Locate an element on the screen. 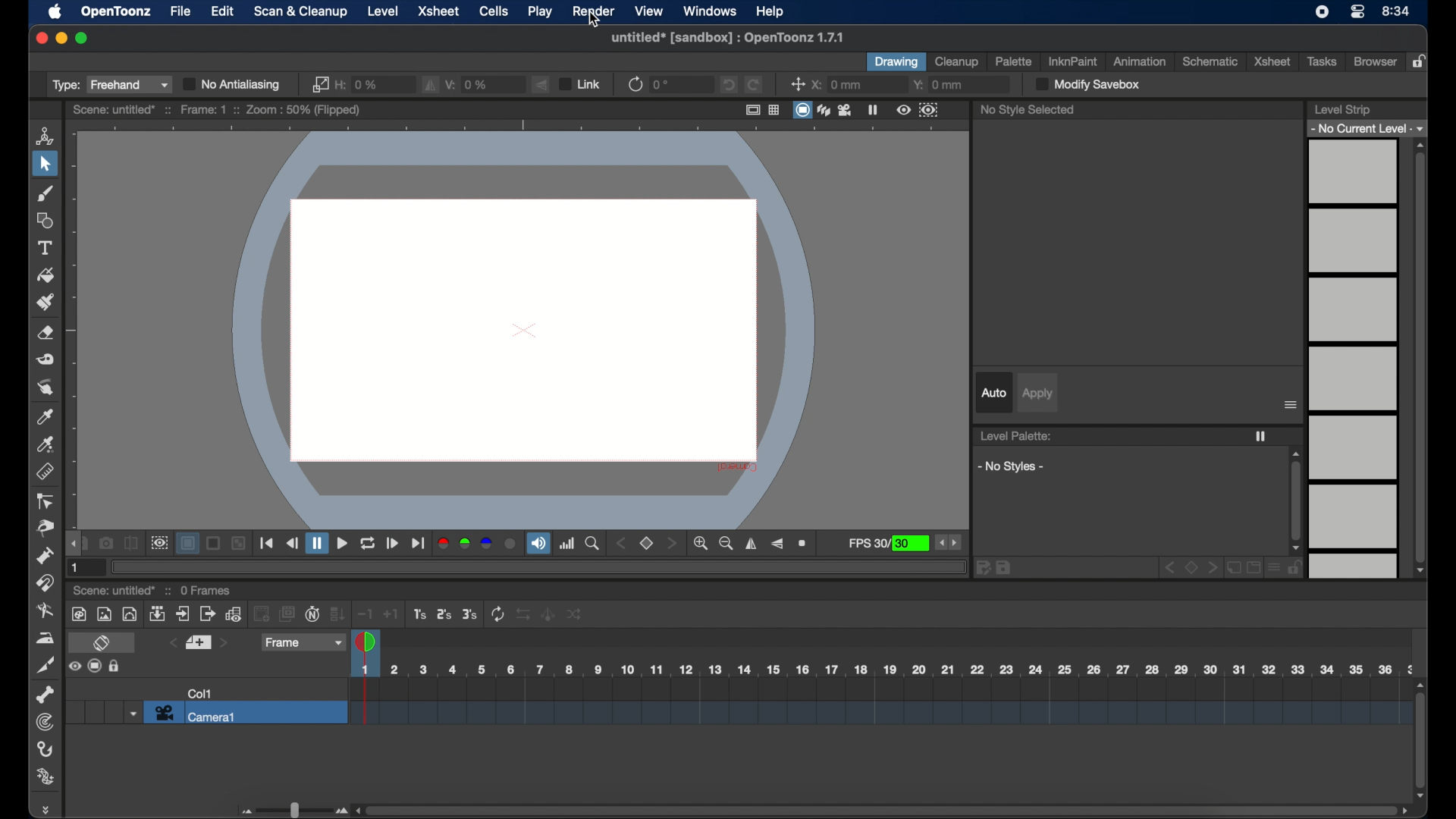 The height and width of the screenshot is (819, 1456). control point editor tool is located at coordinates (46, 502).